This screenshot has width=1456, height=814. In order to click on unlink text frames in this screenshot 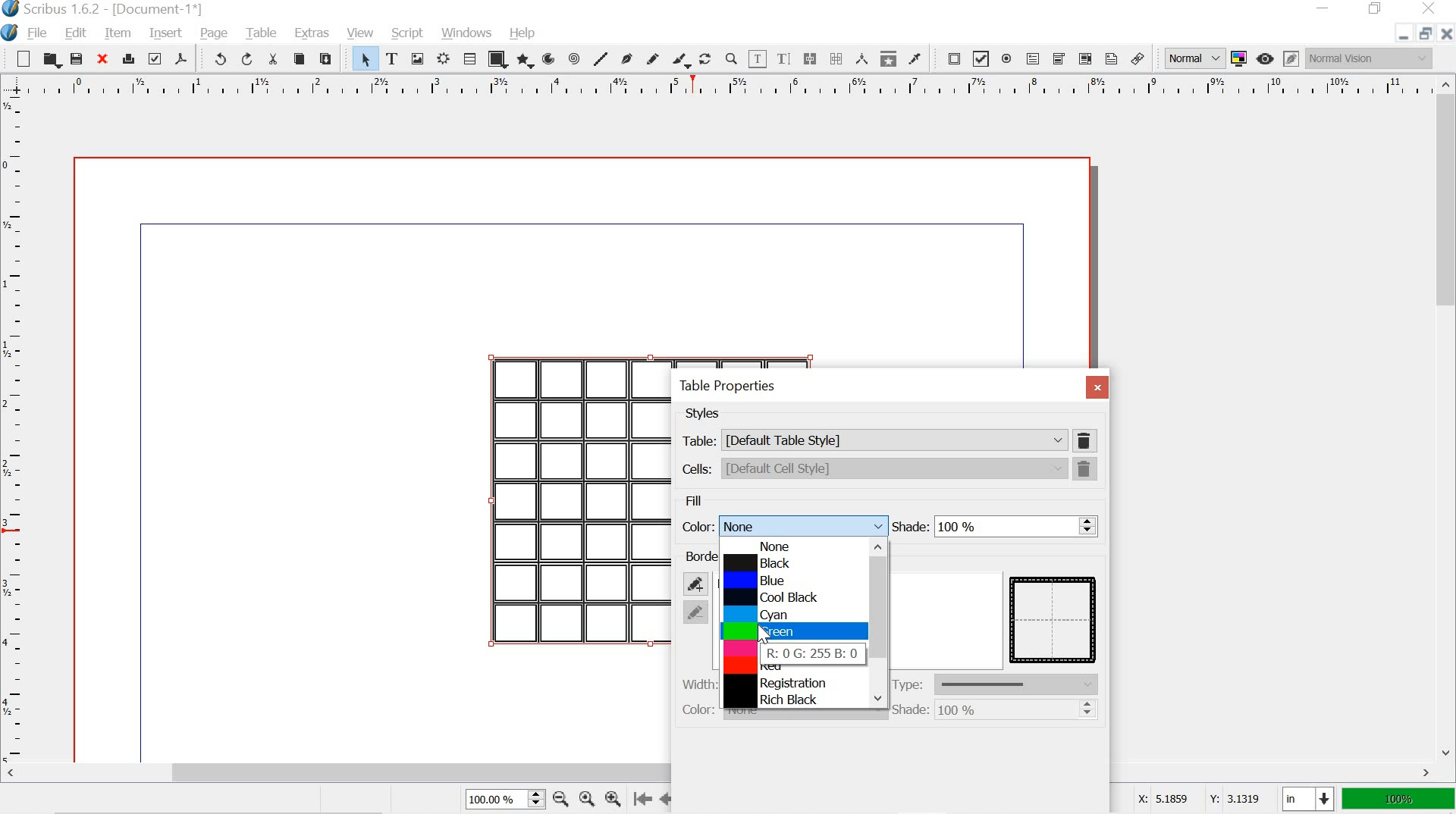, I will do `click(838, 57)`.